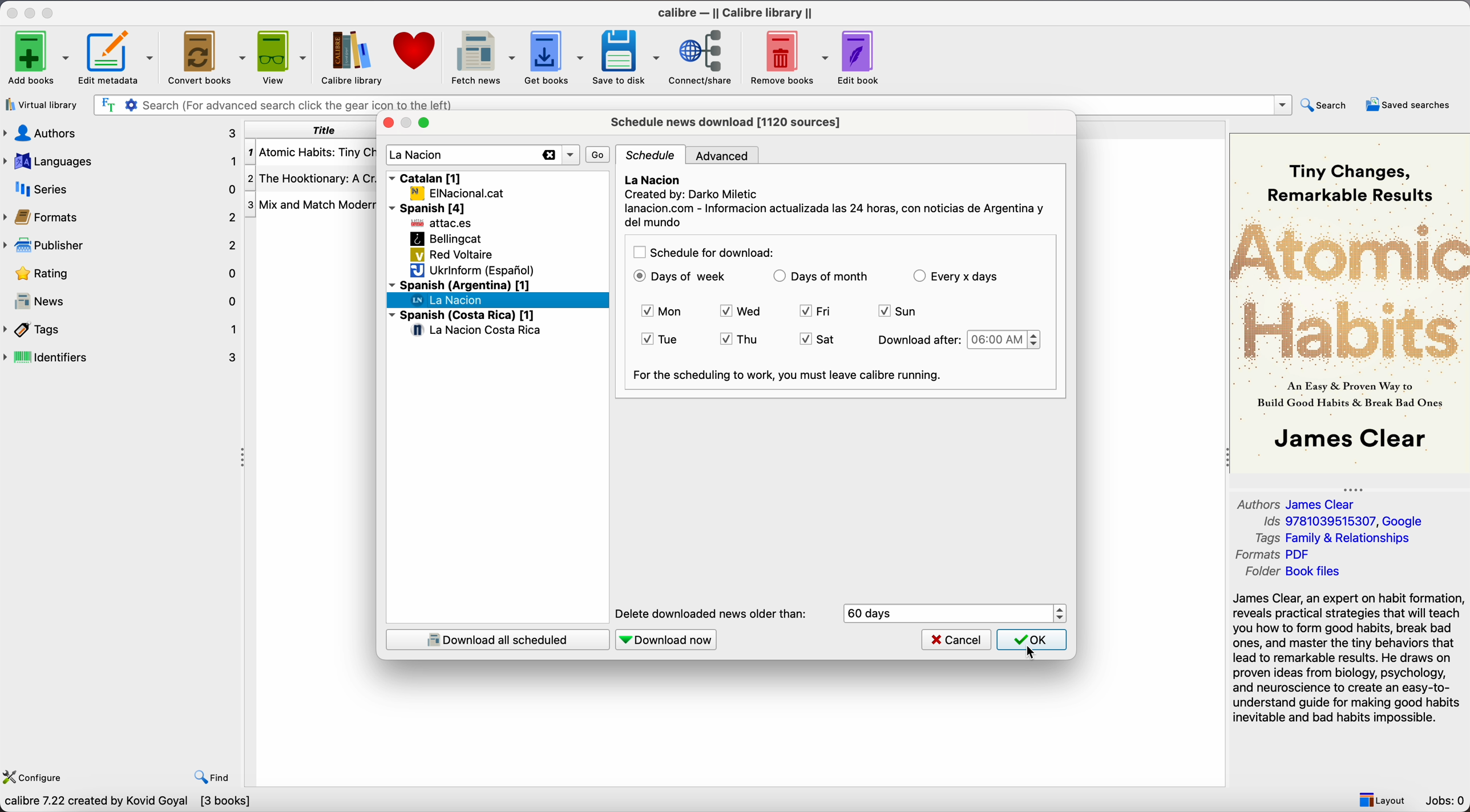  Describe the element at coordinates (212, 778) in the screenshot. I see `find` at that location.